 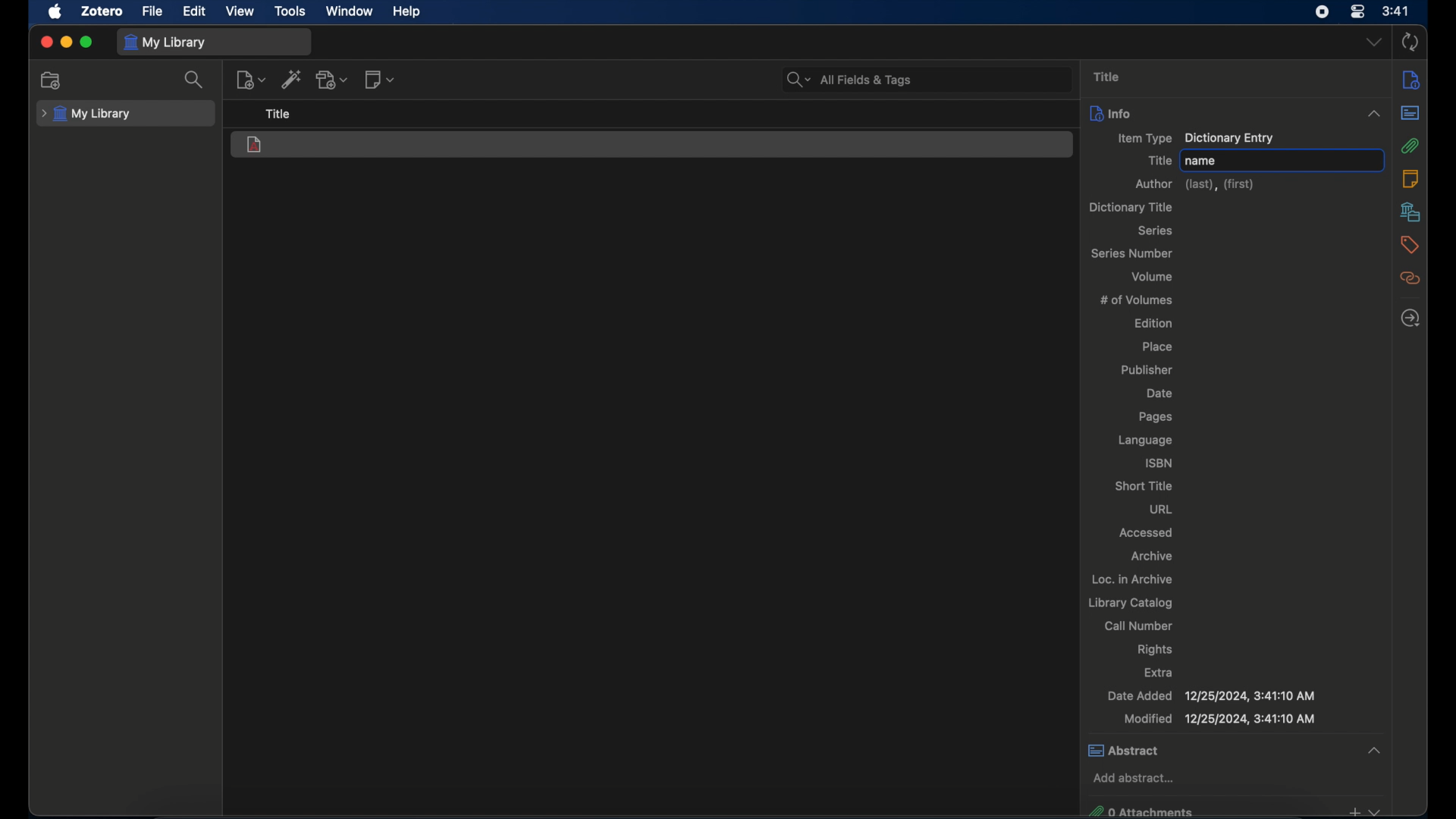 I want to click on name, so click(x=1201, y=161).